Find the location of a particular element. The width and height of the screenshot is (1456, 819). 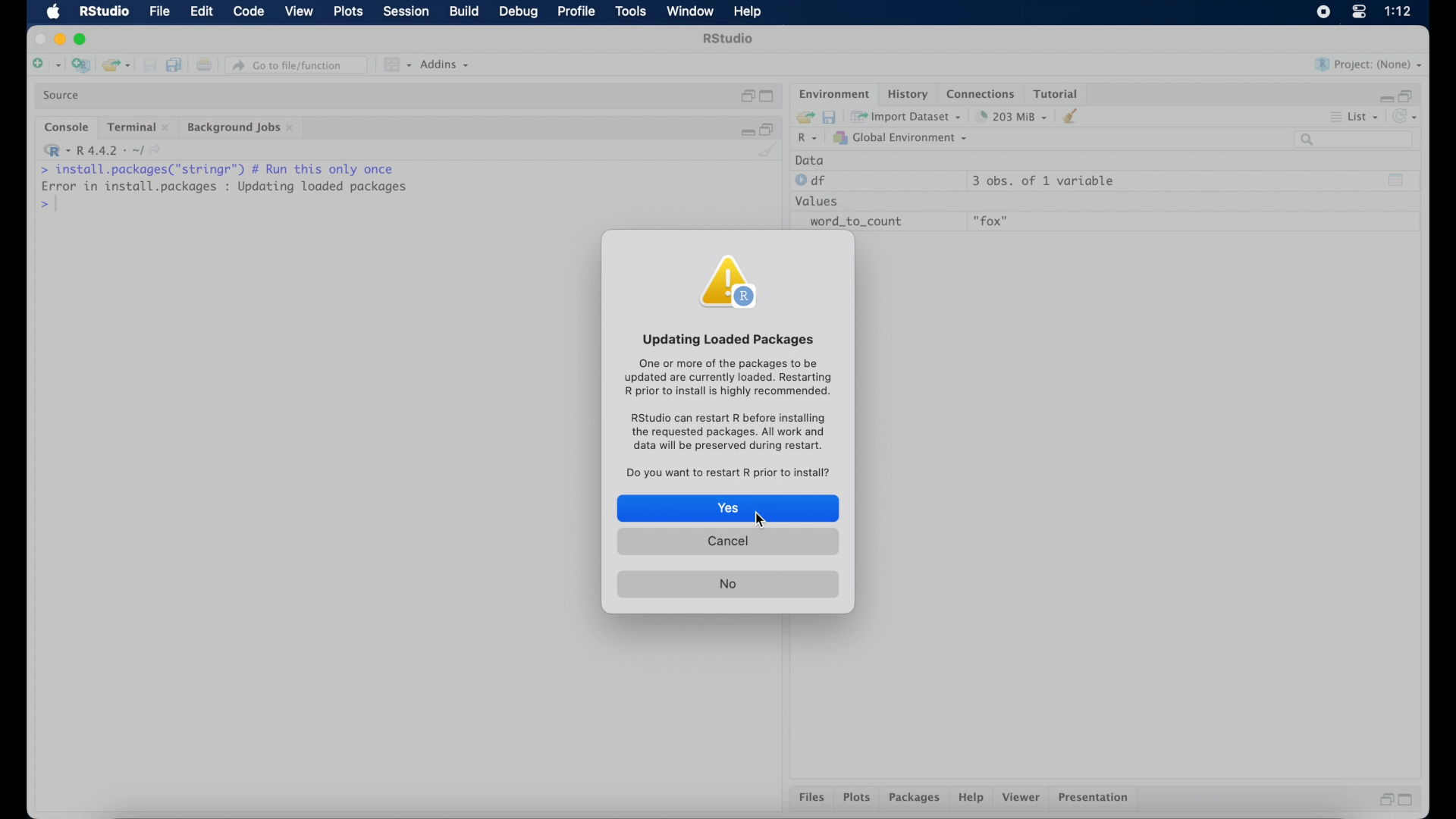

connections is located at coordinates (983, 93).